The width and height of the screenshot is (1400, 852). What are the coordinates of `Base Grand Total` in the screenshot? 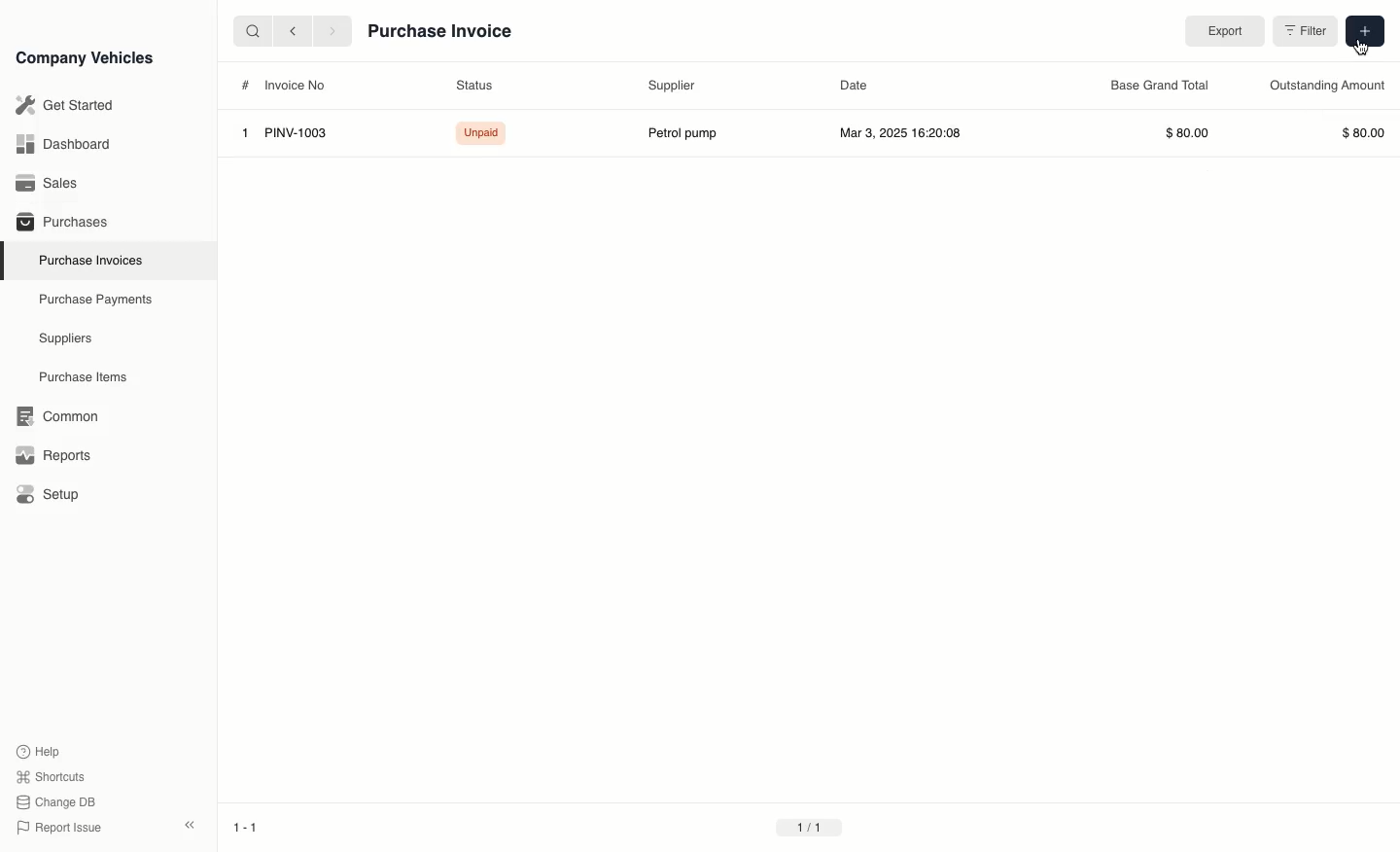 It's located at (1158, 86).